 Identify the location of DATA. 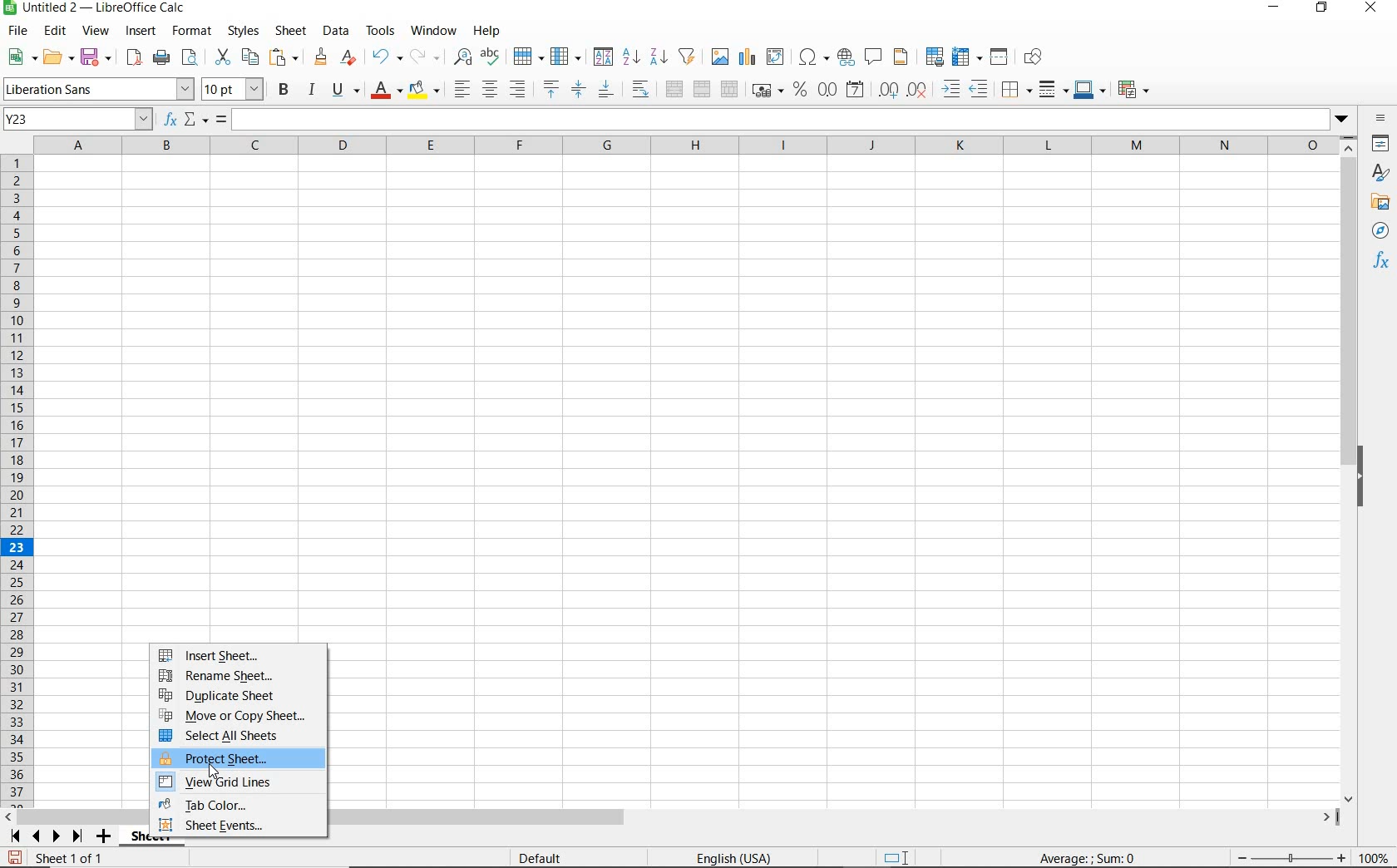
(336, 32).